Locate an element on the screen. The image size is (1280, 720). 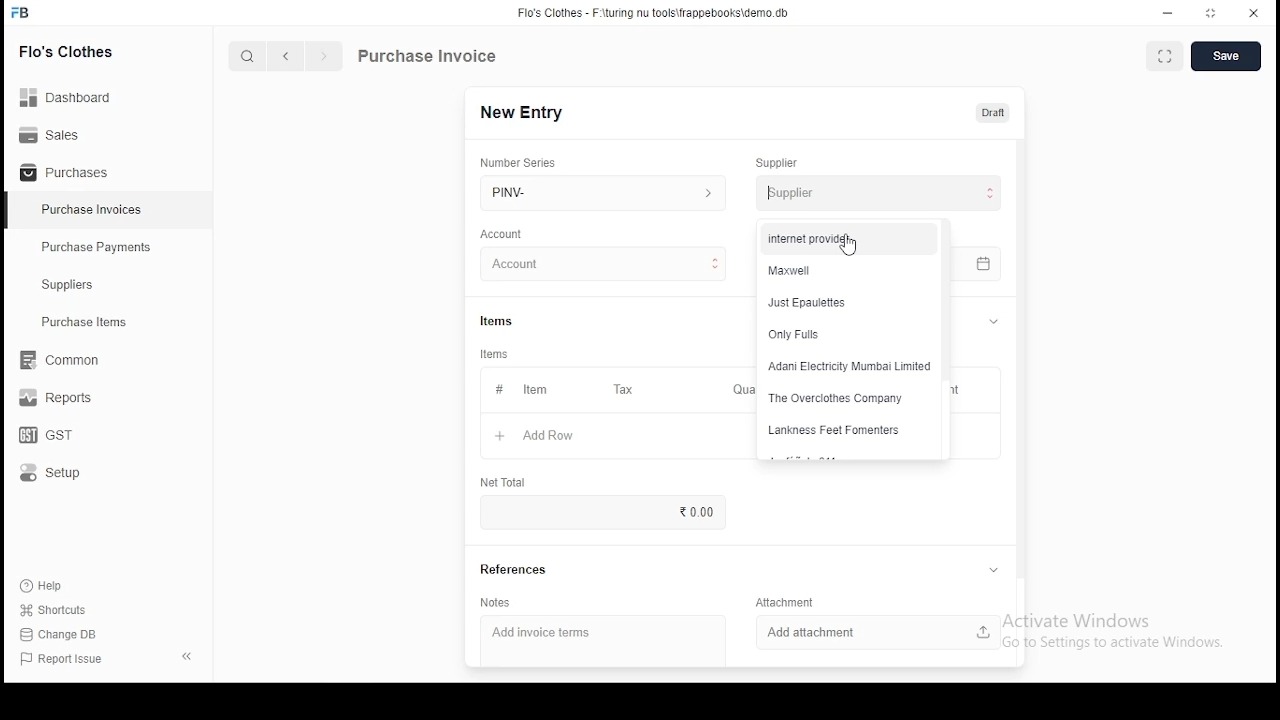
just epauletters is located at coordinates (845, 304).